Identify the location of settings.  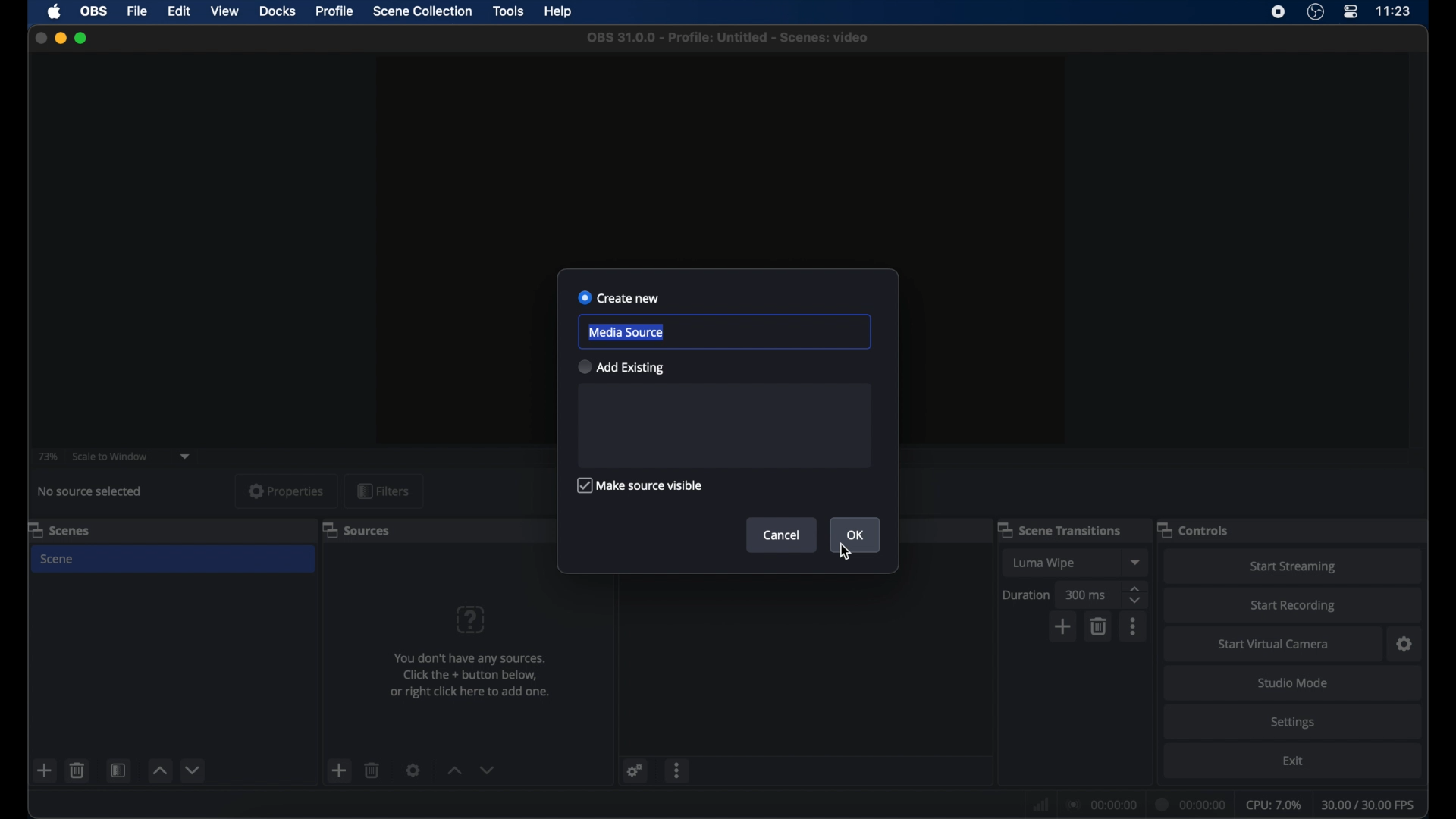
(1406, 645).